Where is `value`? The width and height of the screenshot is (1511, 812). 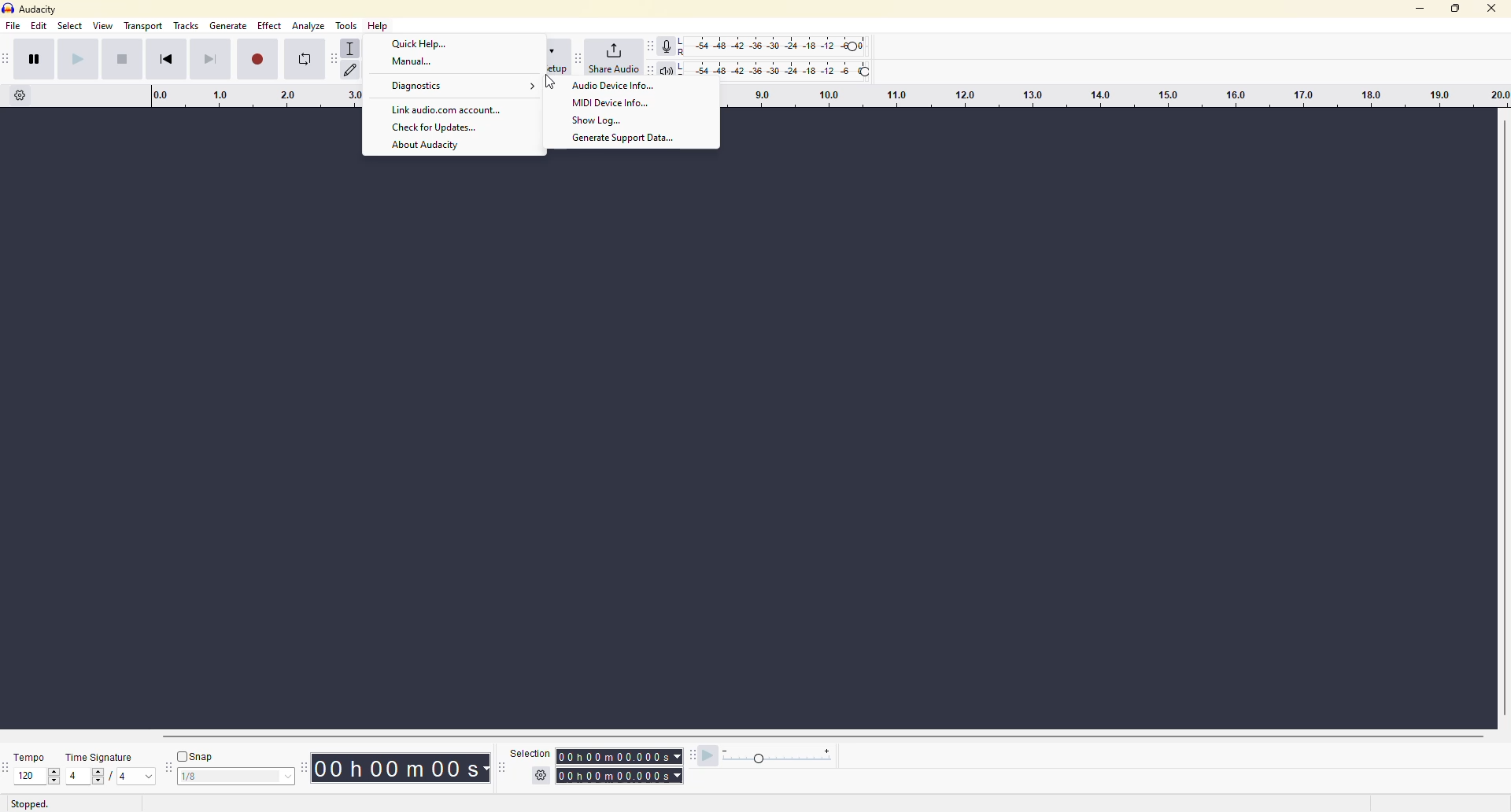 value is located at coordinates (135, 777).